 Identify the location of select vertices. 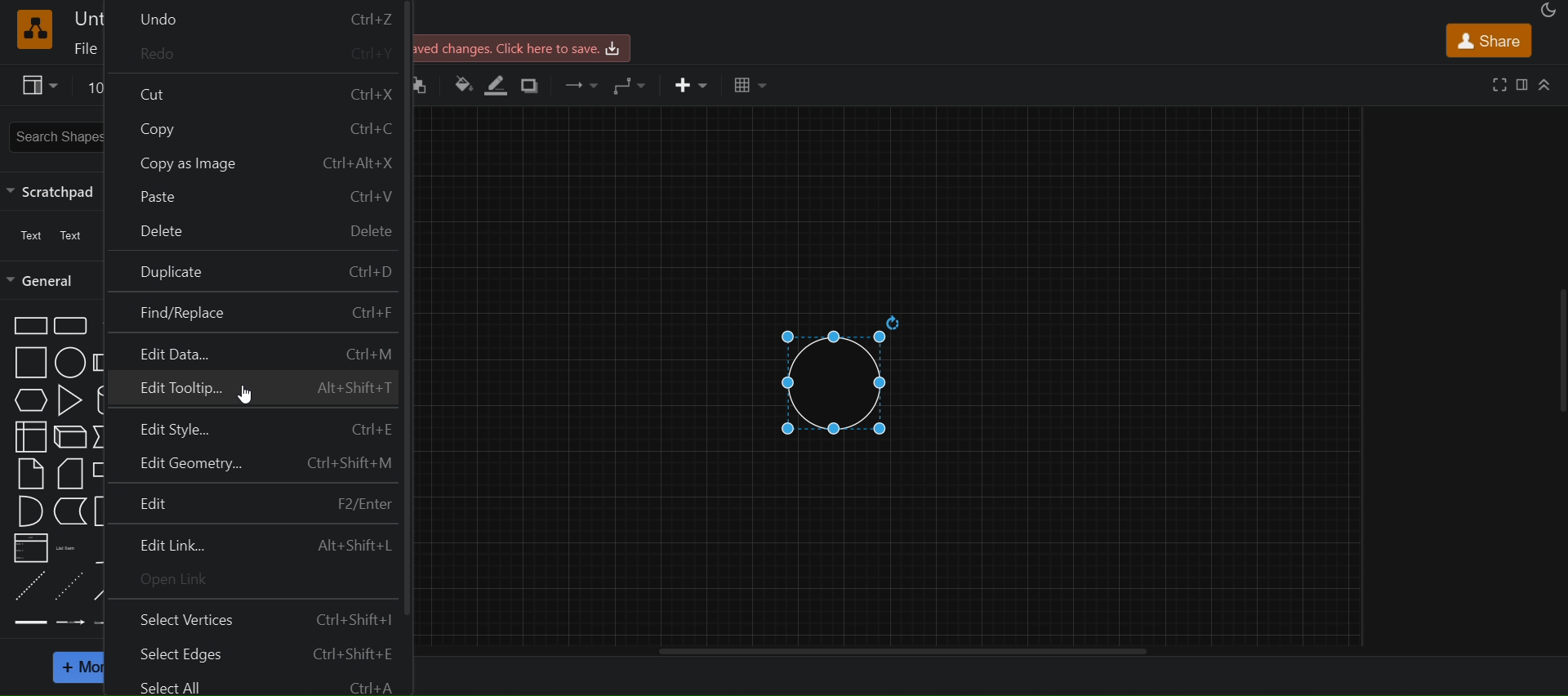
(258, 618).